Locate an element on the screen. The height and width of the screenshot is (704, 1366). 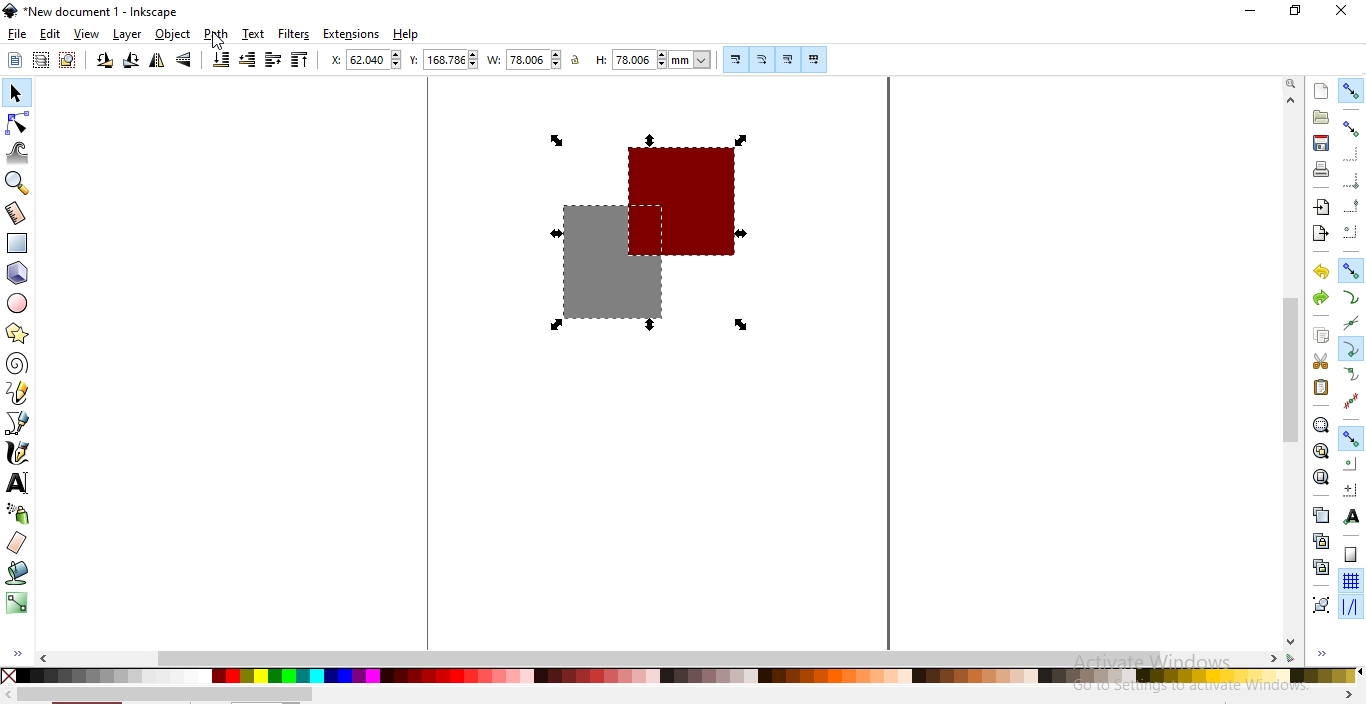
lower selection to bottom is located at coordinates (219, 60).